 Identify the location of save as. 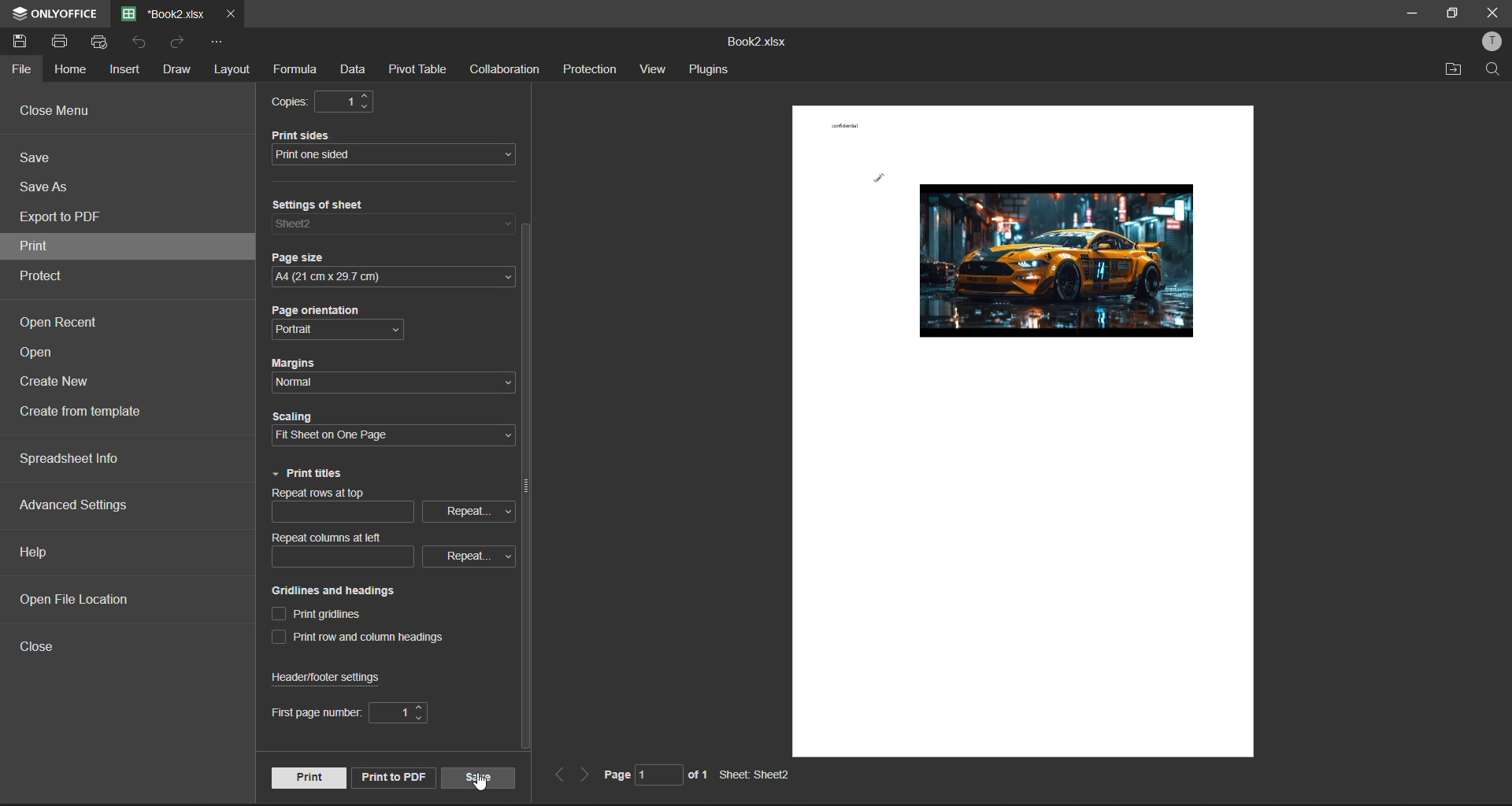
(47, 187).